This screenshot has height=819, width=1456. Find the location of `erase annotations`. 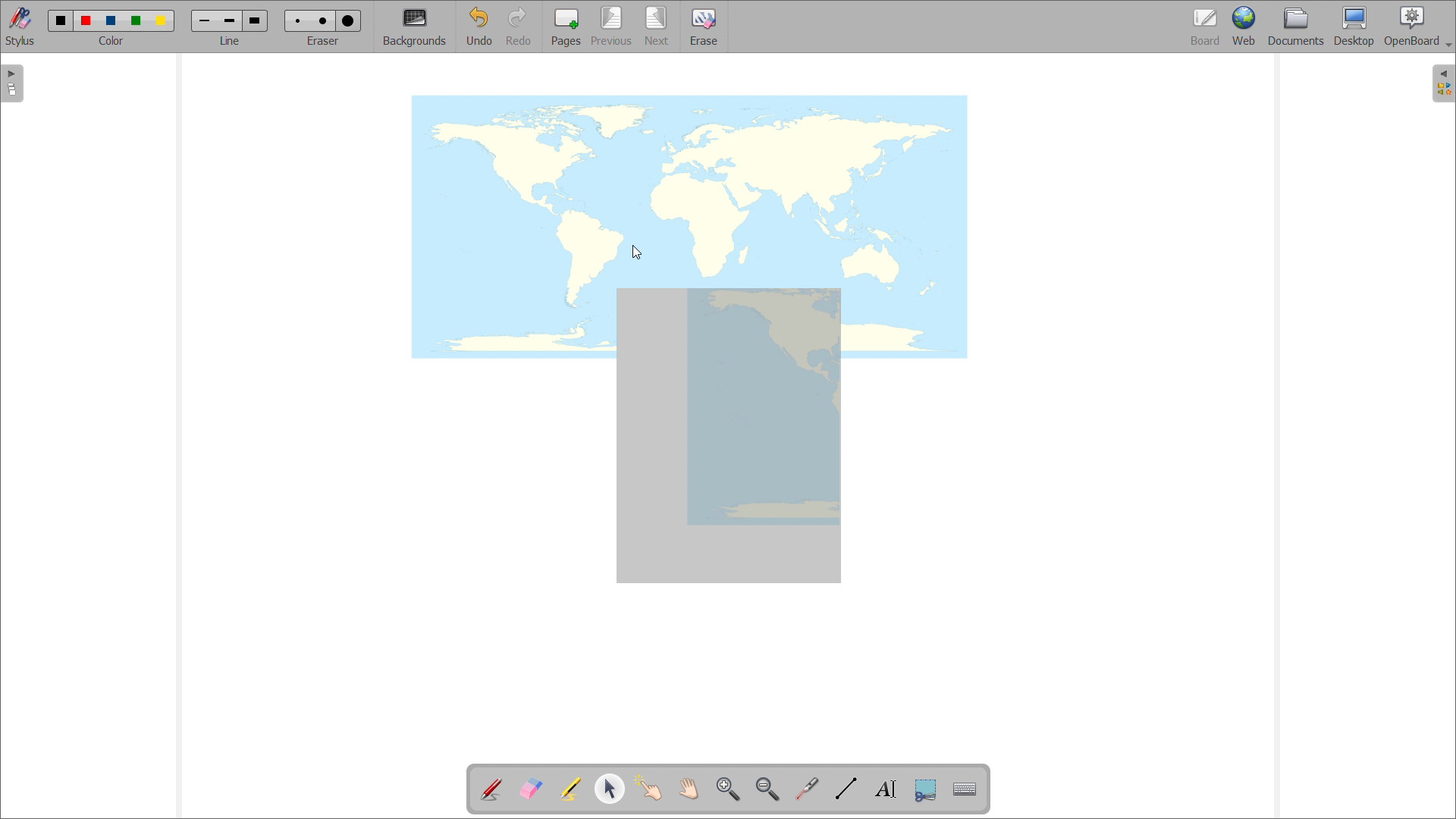

erase annotations is located at coordinates (530, 788).